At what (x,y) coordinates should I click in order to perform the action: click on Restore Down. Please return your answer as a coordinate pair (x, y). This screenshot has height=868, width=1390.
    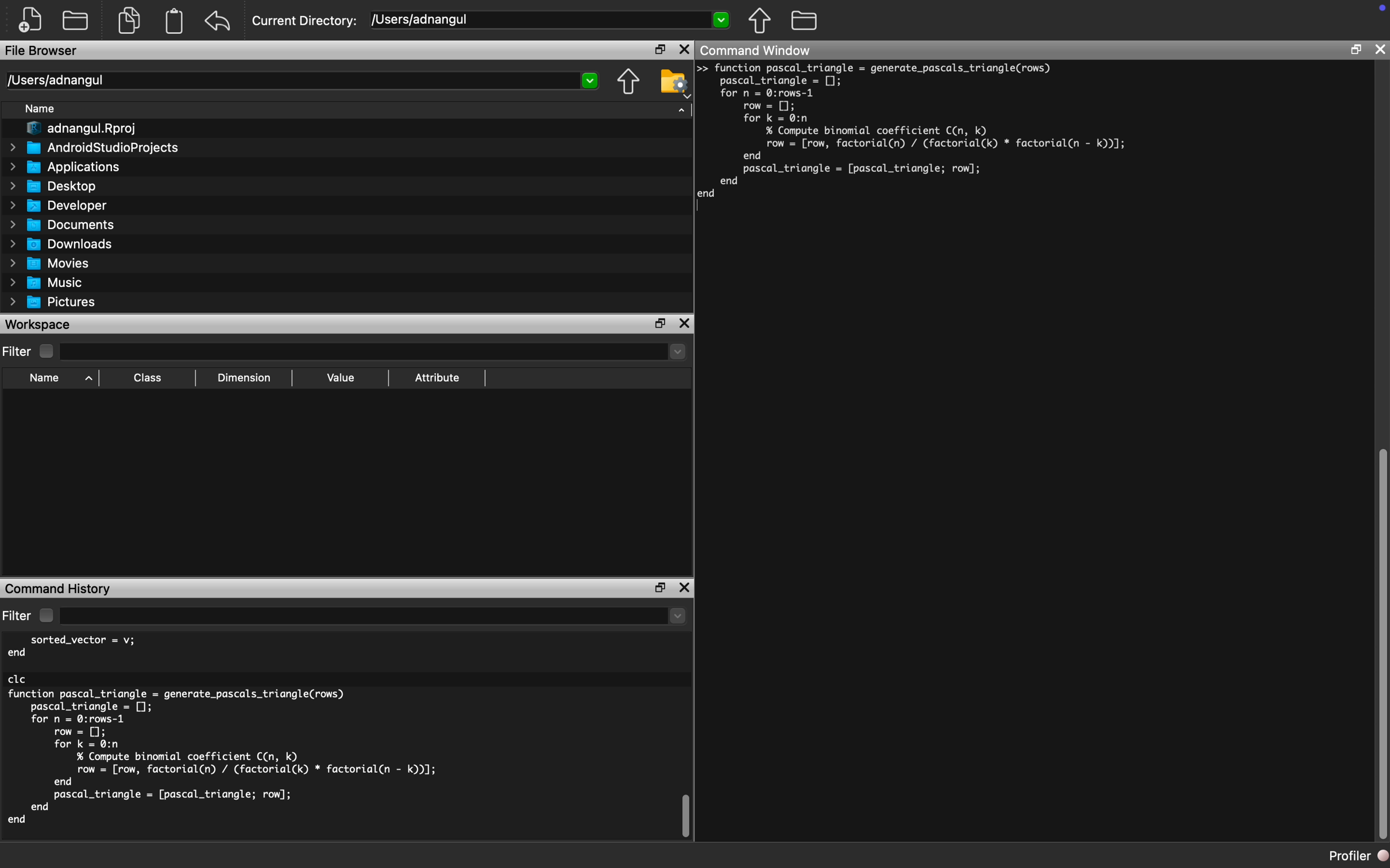
    Looking at the image, I should click on (1354, 50).